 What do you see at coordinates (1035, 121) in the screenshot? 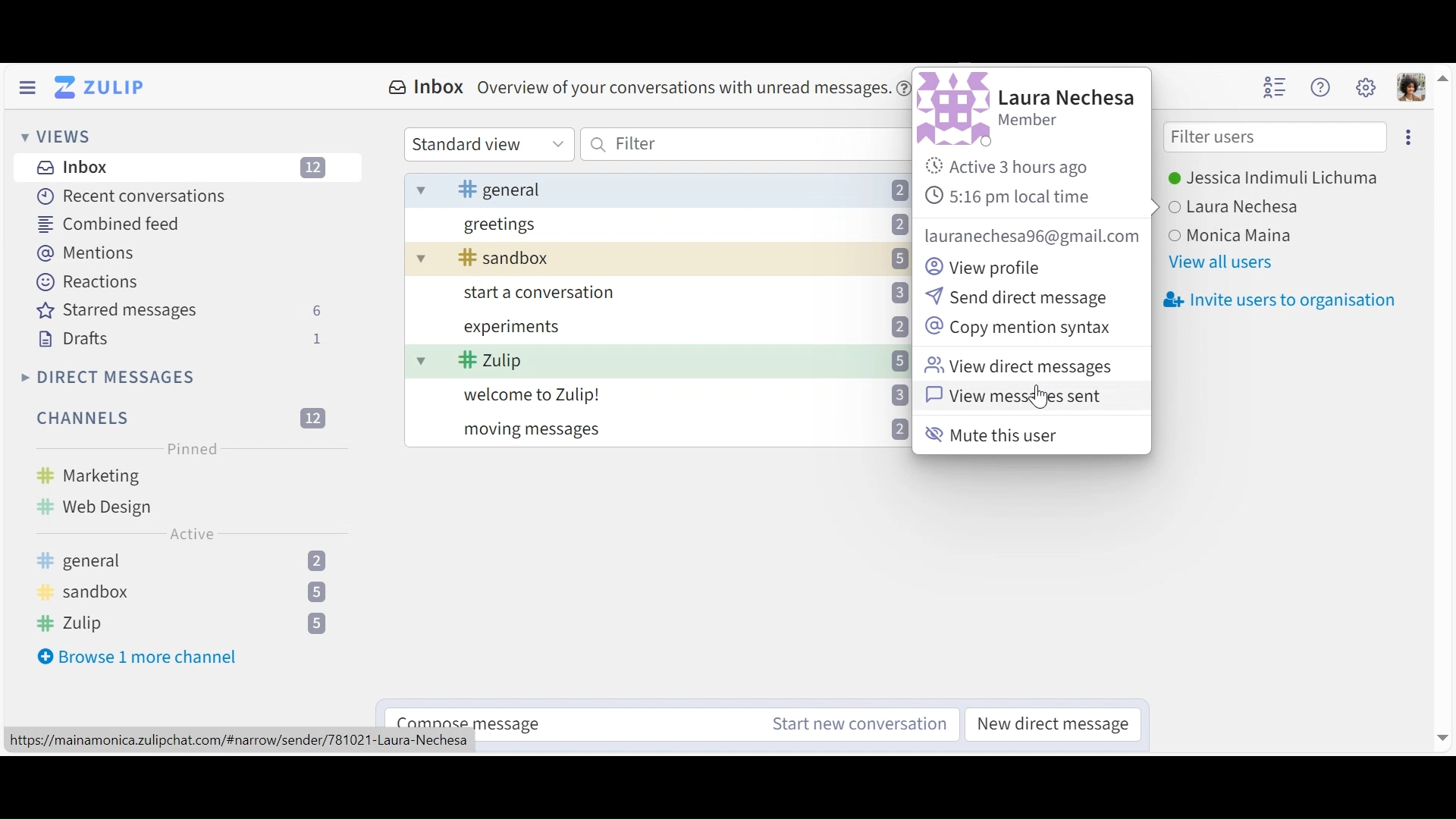
I see `Role` at bounding box center [1035, 121].